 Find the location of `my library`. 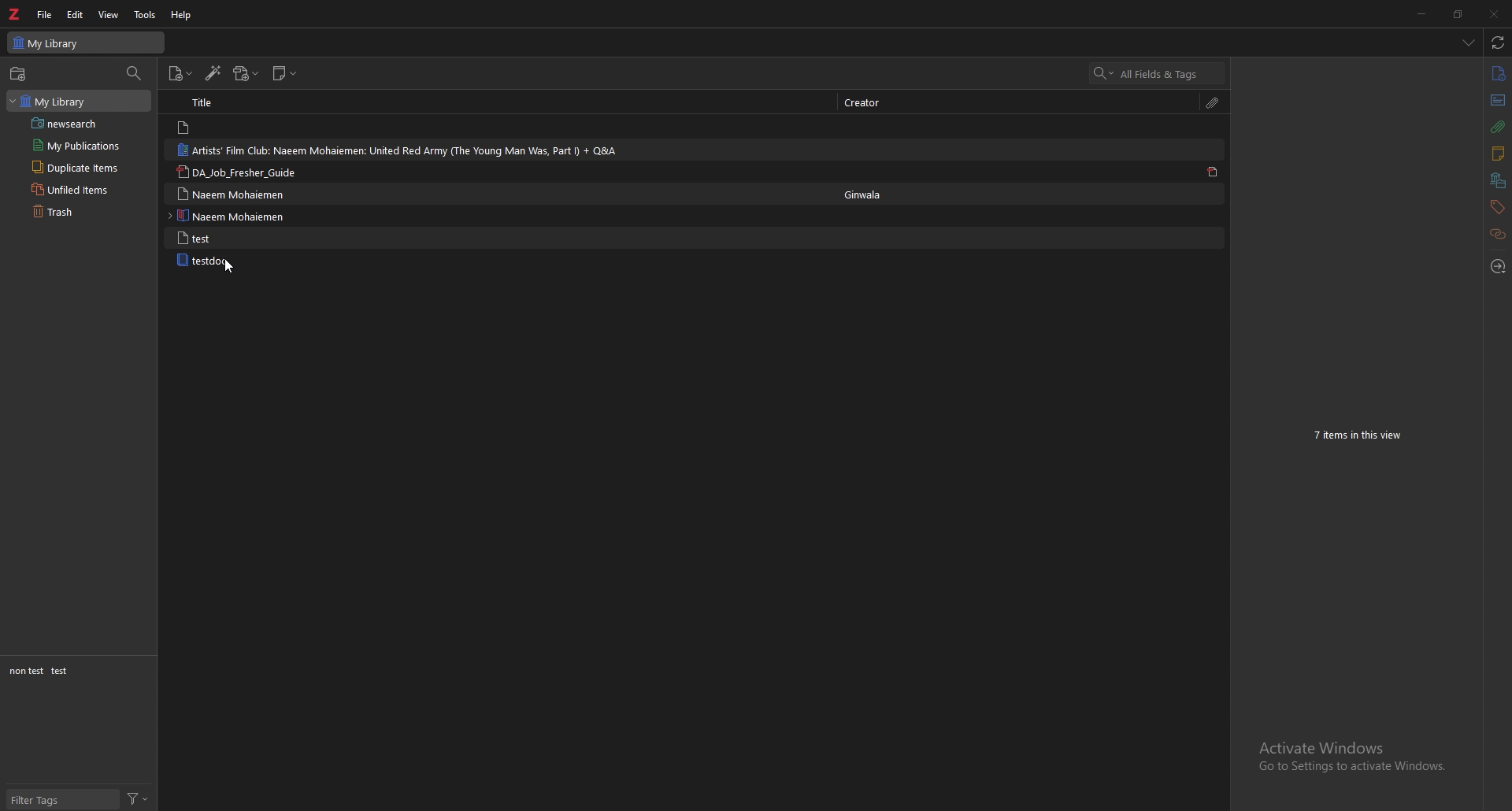

my library is located at coordinates (78, 102).